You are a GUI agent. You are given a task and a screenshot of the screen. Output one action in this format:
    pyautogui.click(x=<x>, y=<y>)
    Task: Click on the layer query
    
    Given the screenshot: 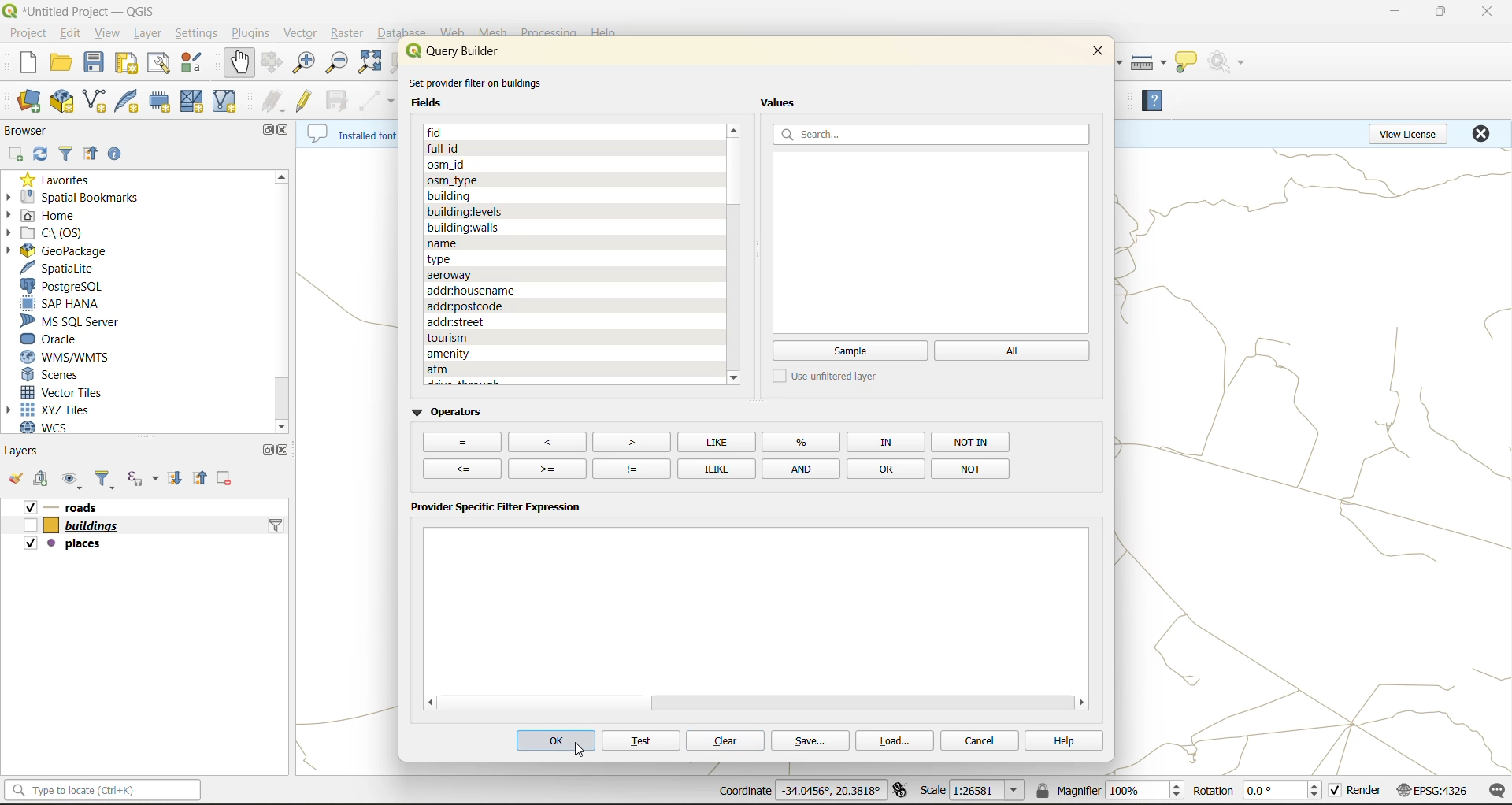 What is the action you would take?
    pyautogui.click(x=274, y=529)
    